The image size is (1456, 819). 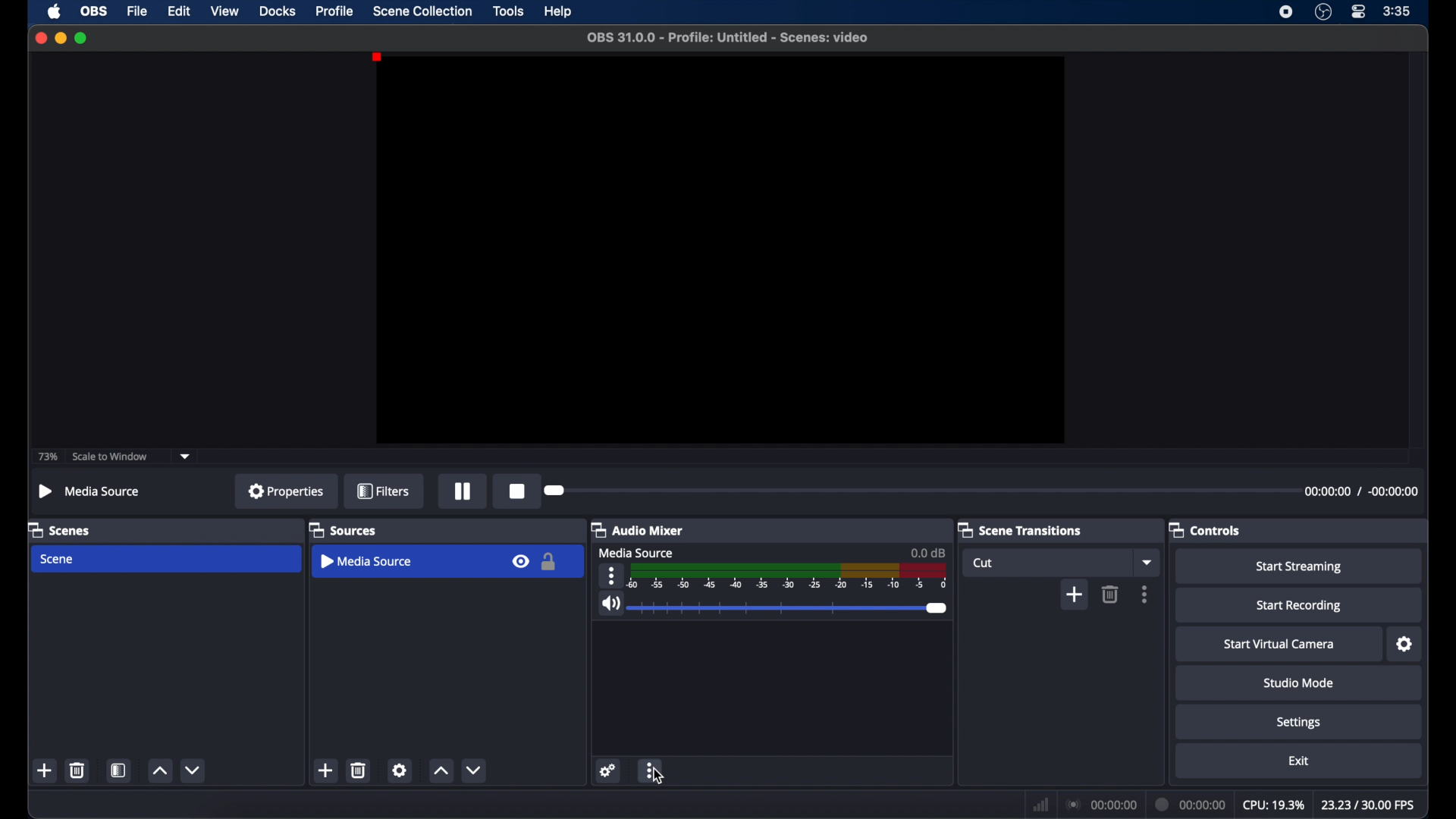 I want to click on settings, so click(x=608, y=770).